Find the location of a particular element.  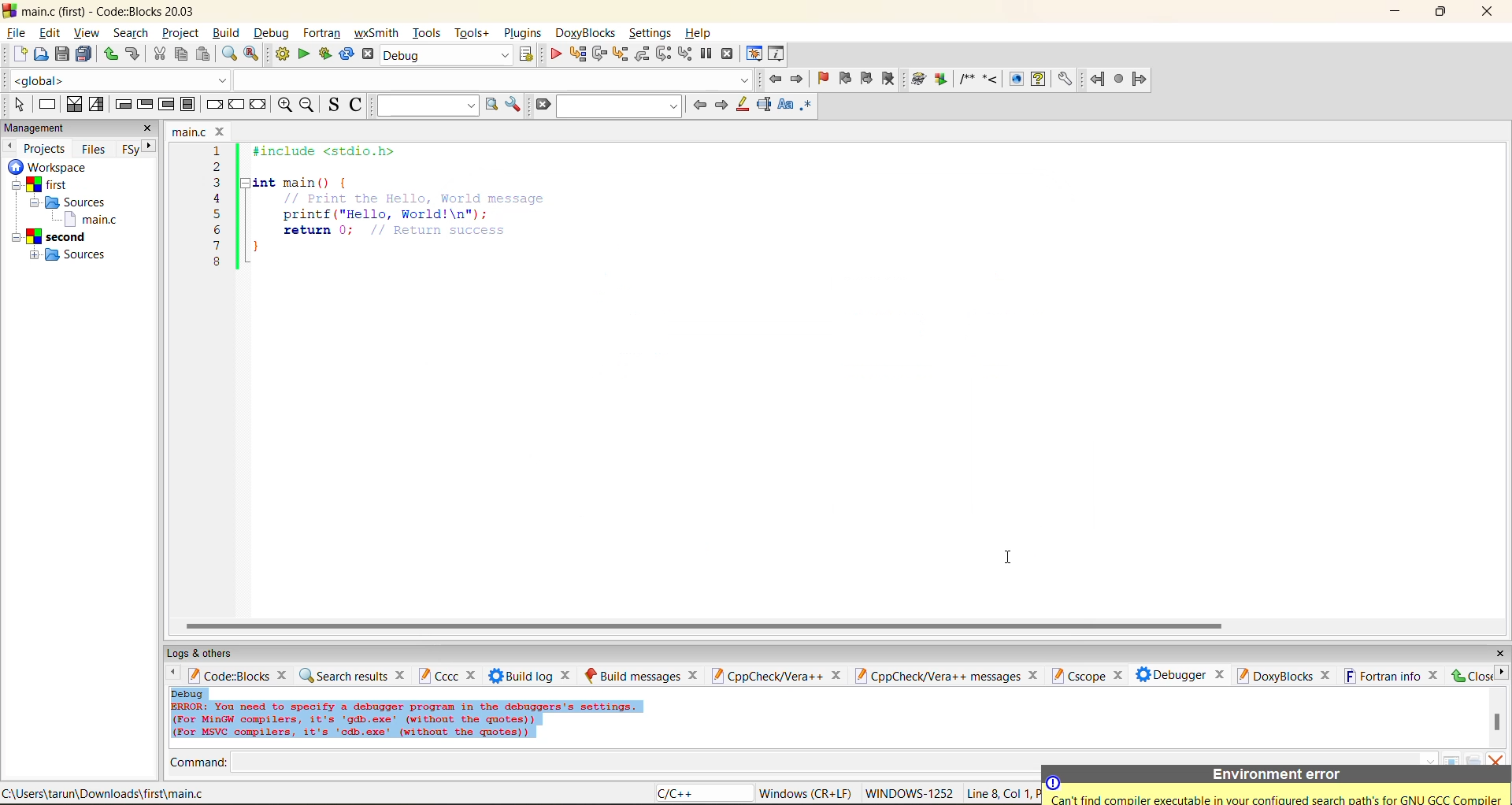

close  is located at coordinates (1489, 12).